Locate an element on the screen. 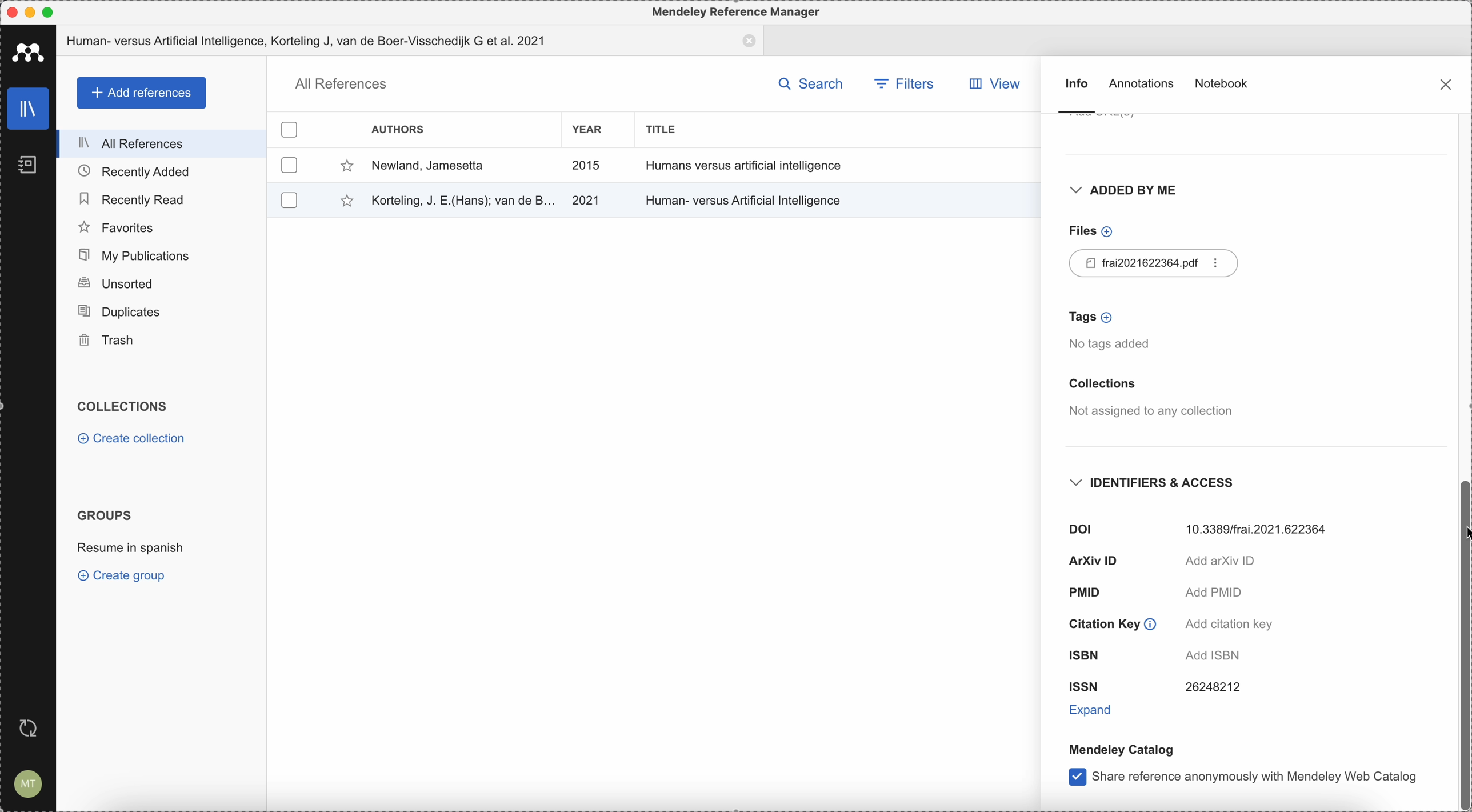 The height and width of the screenshot is (812, 1472). unsorted is located at coordinates (161, 285).